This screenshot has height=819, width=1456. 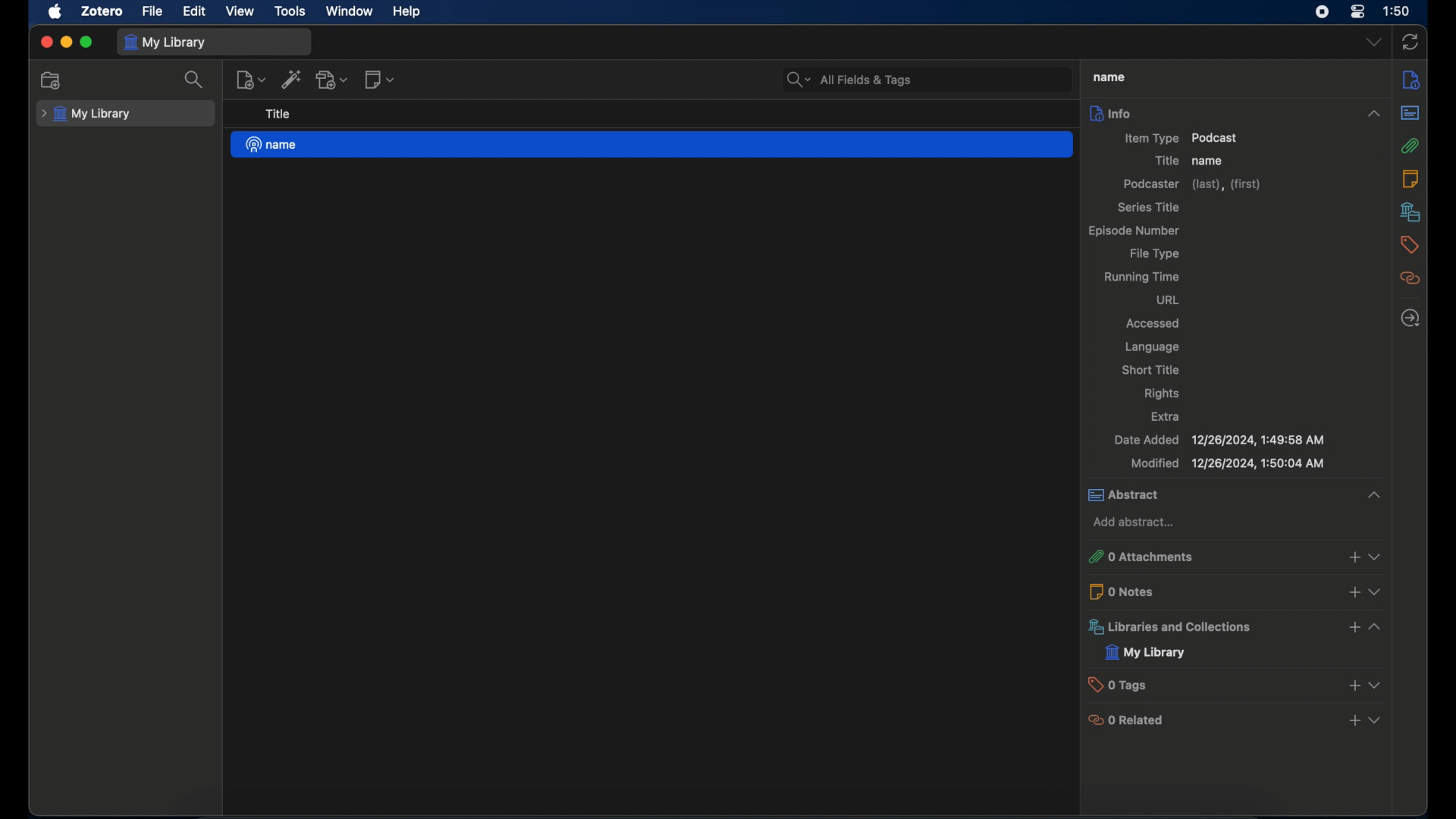 What do you see at coordinates (1132, 231) in the screenshot?
I see `episode number` at bounding box center [1132, 231].